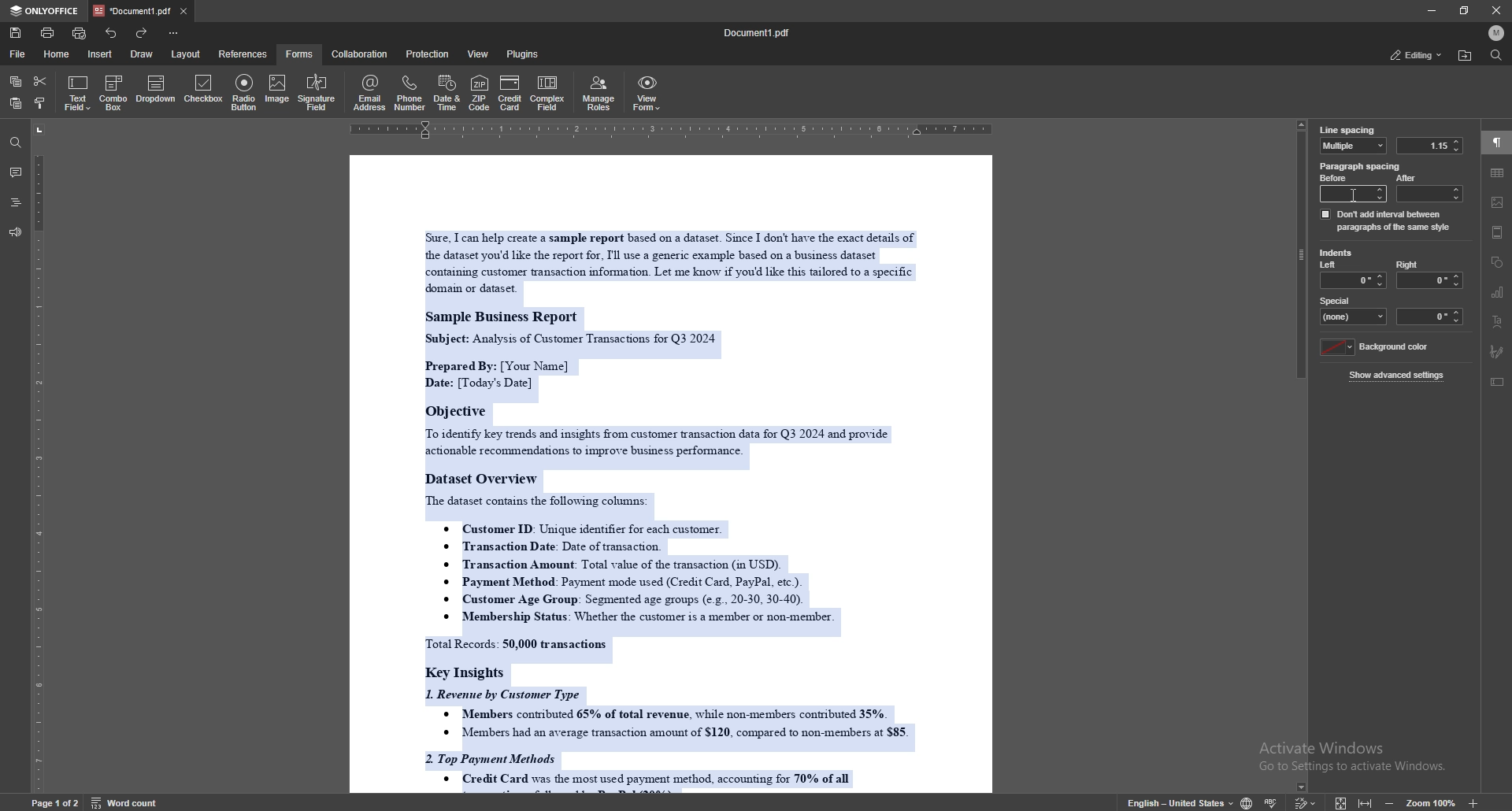  Describe the element at coordinates (1354, 189) in the screenshot. I see `before` at that location.